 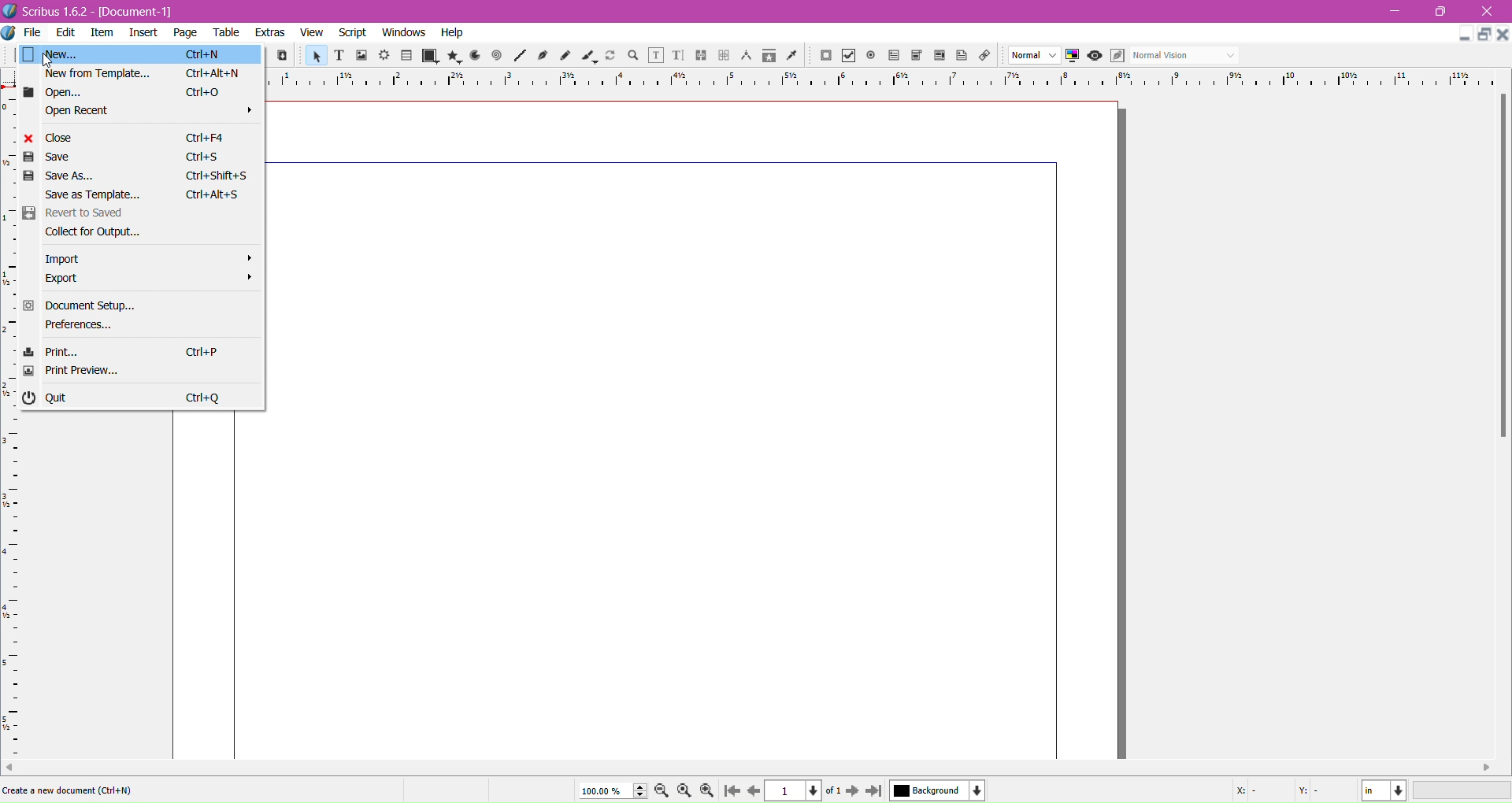 What do you see at coordinates (754, 793) in the screenshot?
I see `previous` at bounding box center [754, 793].